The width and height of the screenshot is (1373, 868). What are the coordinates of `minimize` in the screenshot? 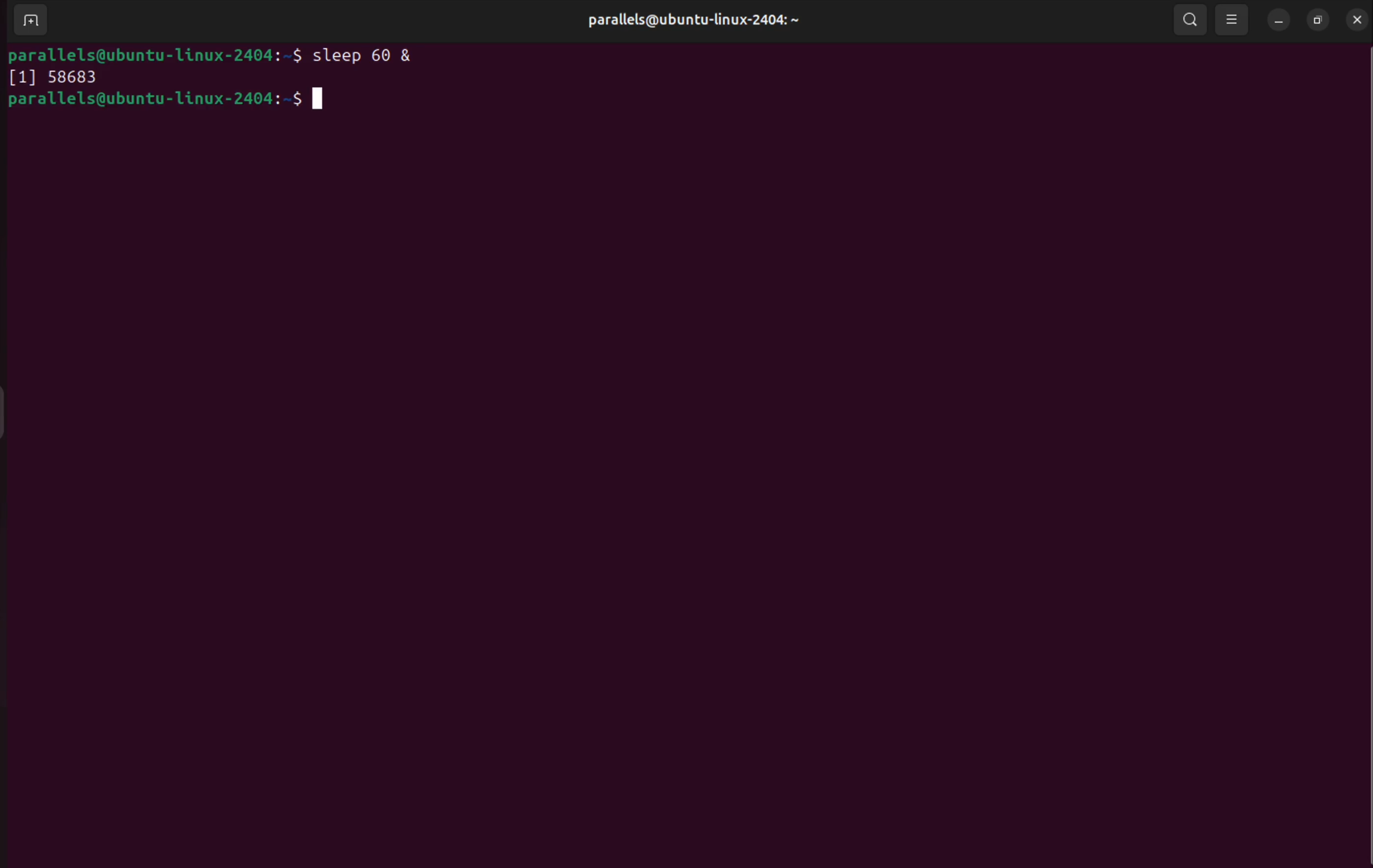 It's located at (1279, 21).